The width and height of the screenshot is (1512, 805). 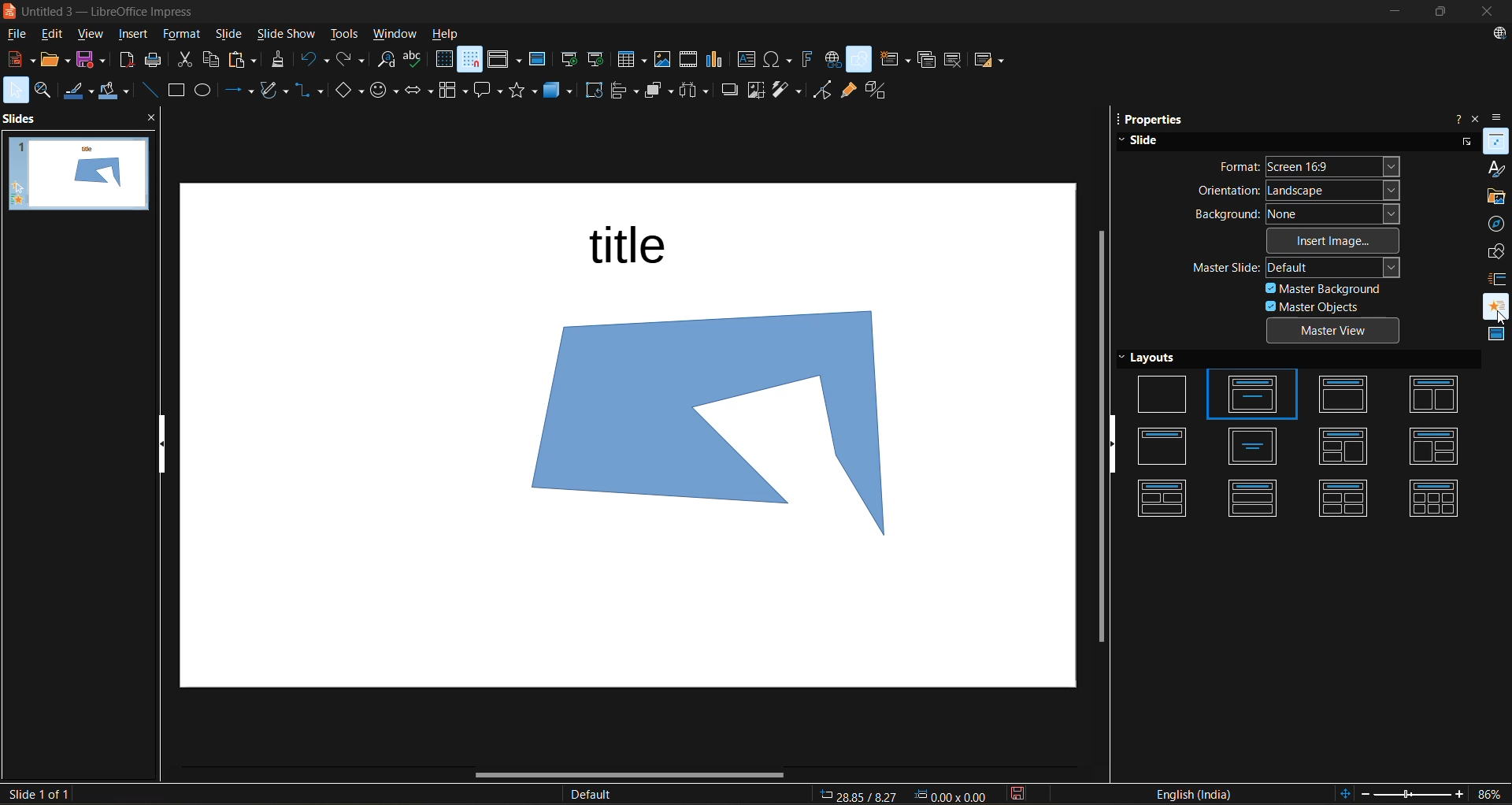 What do you see at coordinates (848, 91) in the screenshot?
I see `show gluepoint functions` at bounding box center [848, 91].